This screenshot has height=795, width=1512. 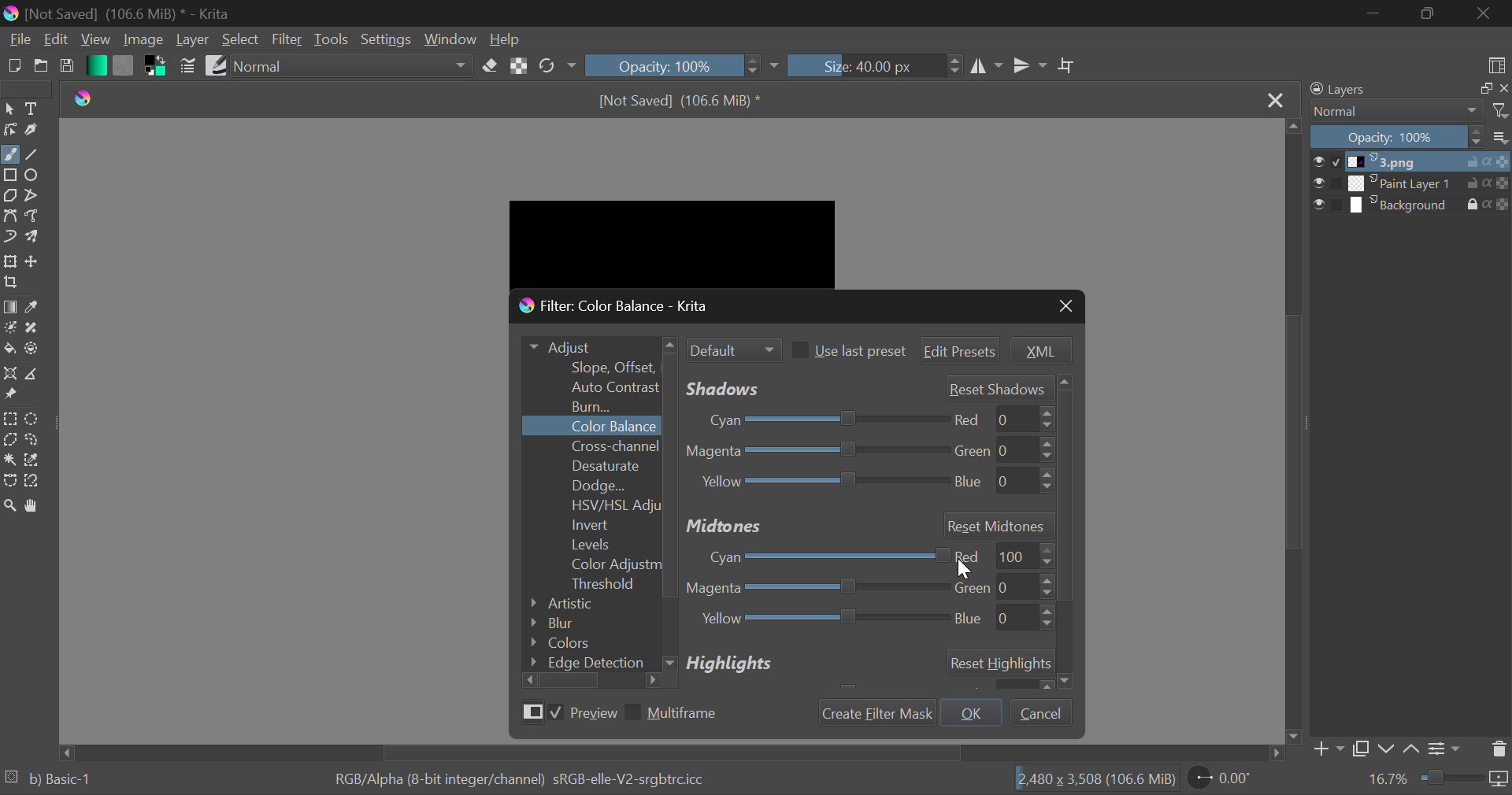 What do you see at coordinates (450, 39) in the screenshot?
I see `Window` at bounding box center [450, 39].